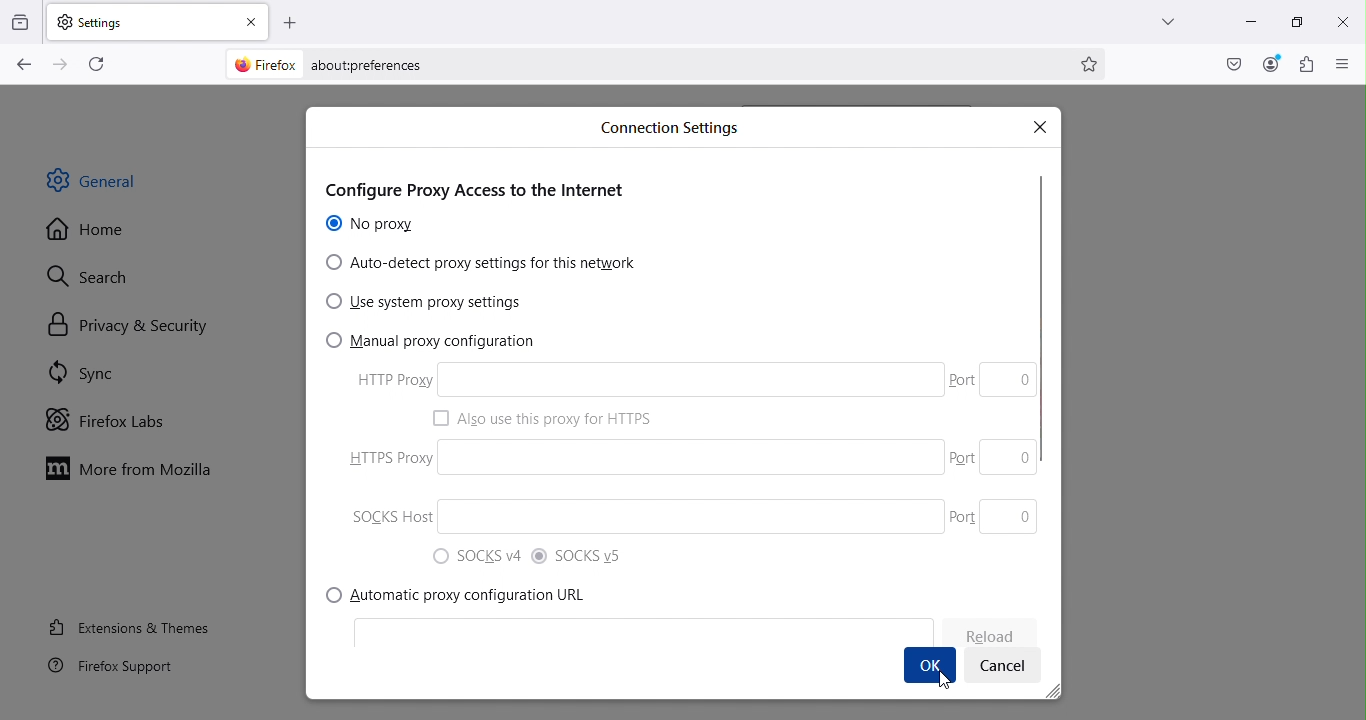 The width and height of the screenshot is (1366, 720). I want to click on Port, so click(963, 455).